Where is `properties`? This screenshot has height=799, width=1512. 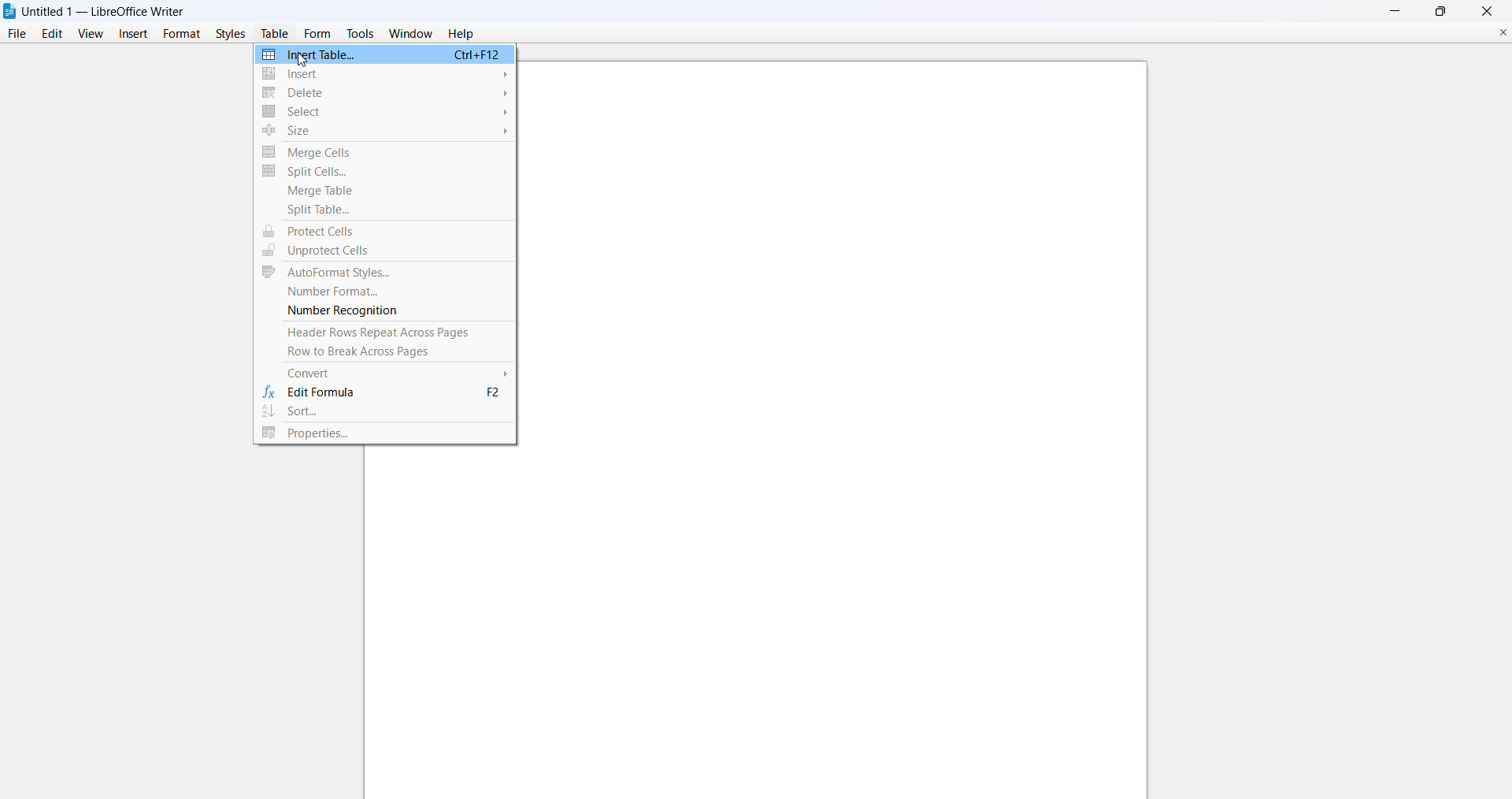
properties is located at coordinates (385, 435).